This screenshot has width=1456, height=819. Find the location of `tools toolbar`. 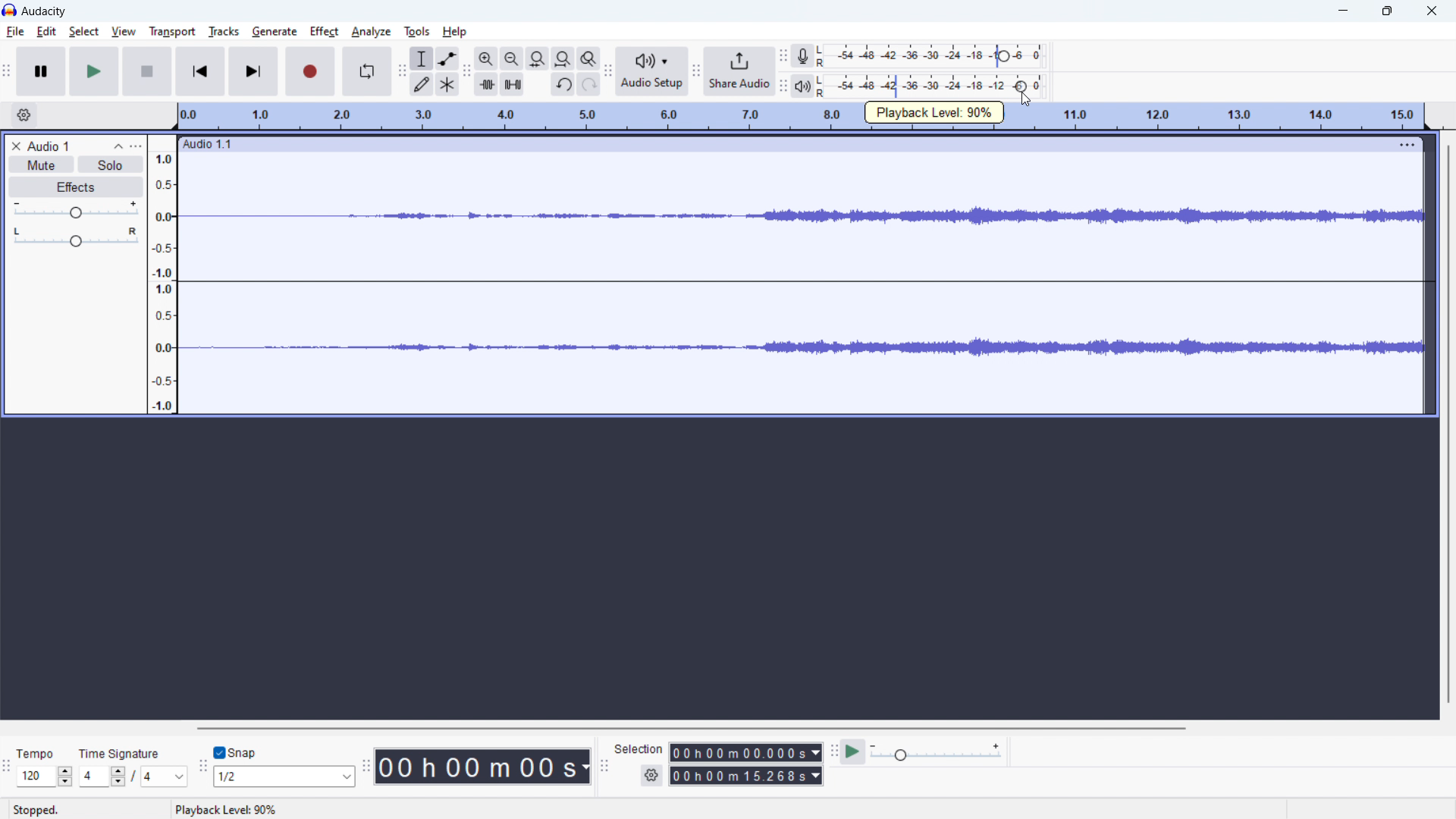

tools toolbar is located at coordinates (400, 70).